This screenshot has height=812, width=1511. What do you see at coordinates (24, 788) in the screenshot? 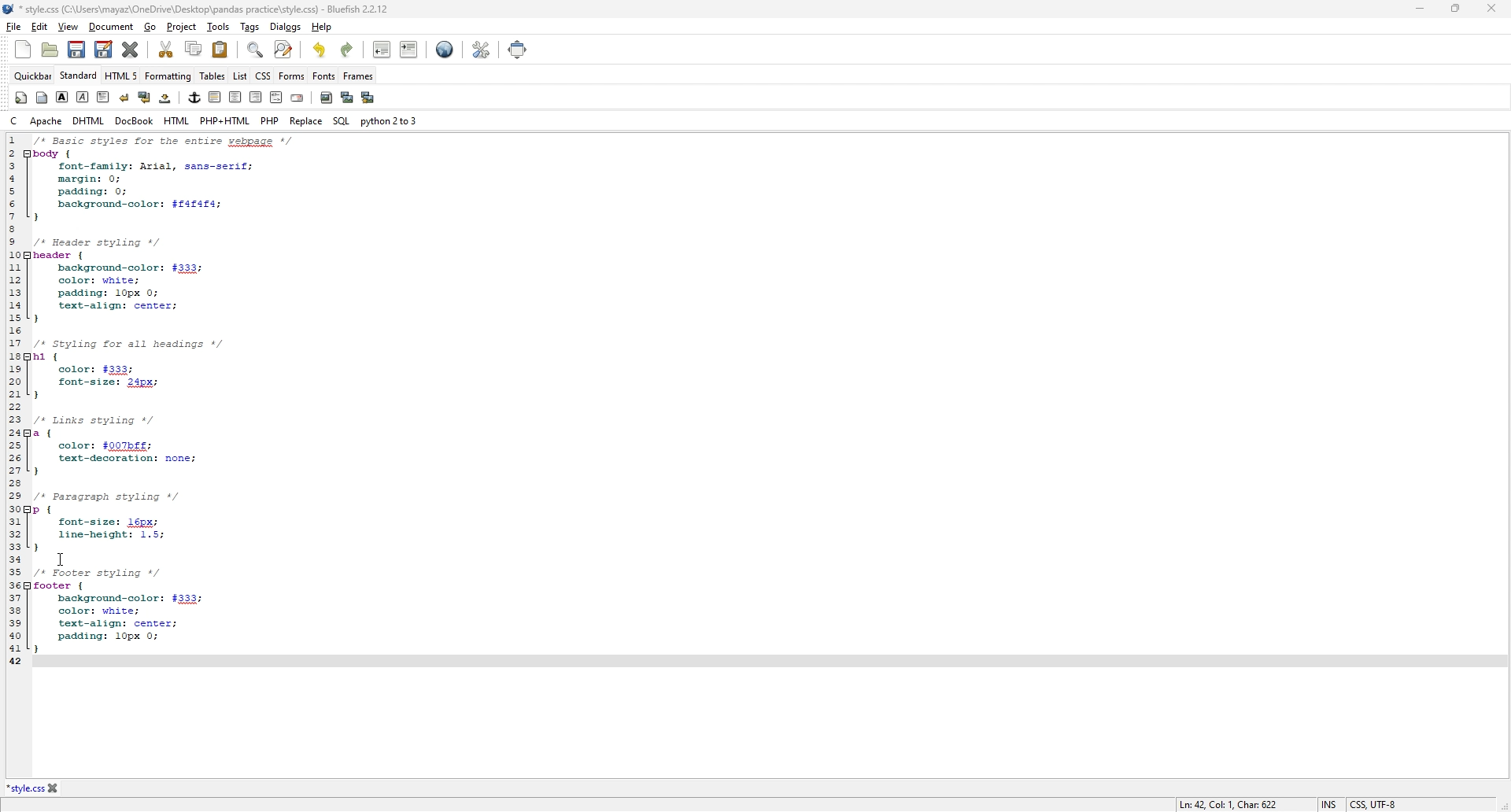
I see `*style.css` at bounding box center [24, 788].